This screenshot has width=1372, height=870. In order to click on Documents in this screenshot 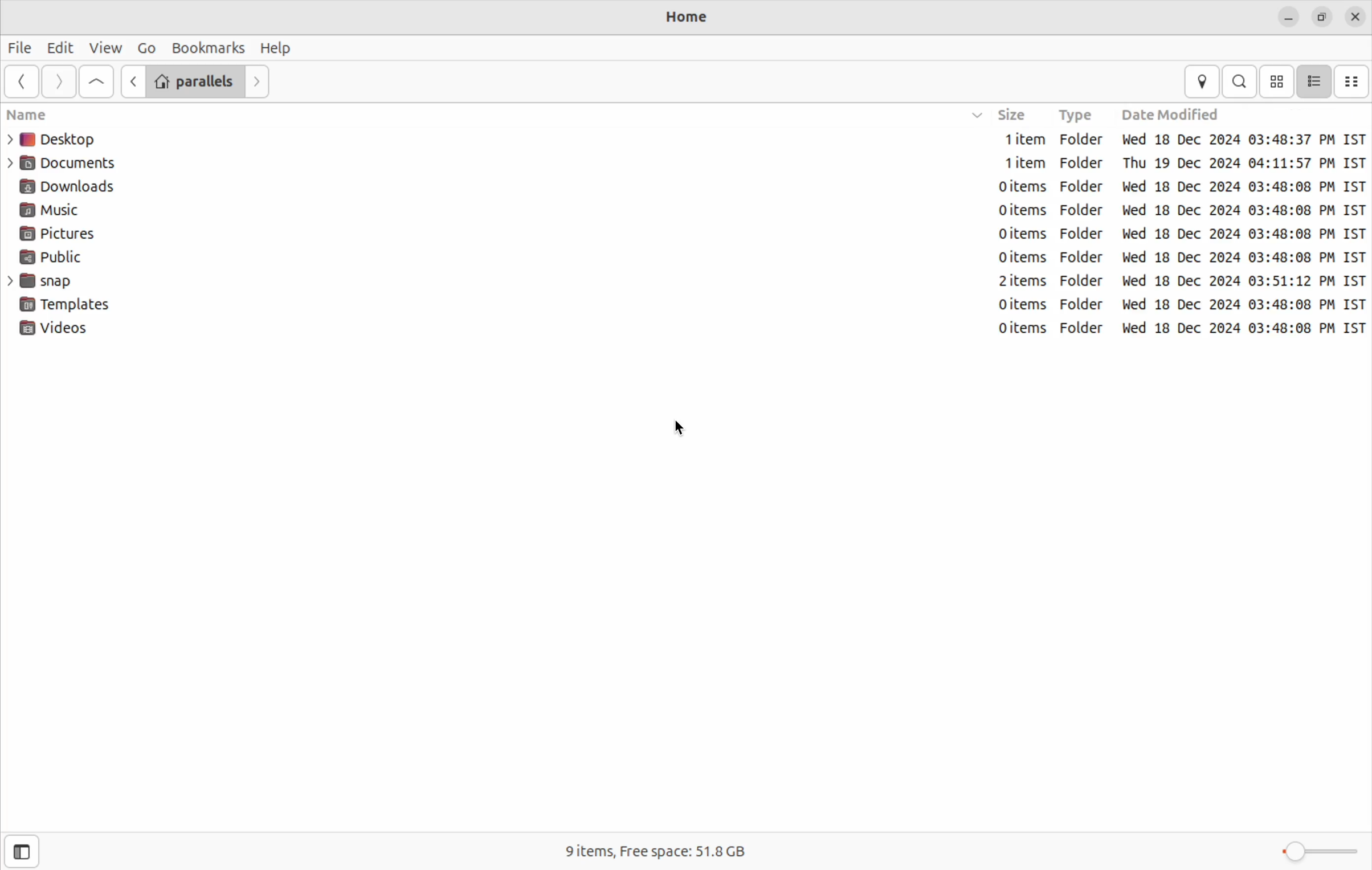, I will do `click(72, 162)`.